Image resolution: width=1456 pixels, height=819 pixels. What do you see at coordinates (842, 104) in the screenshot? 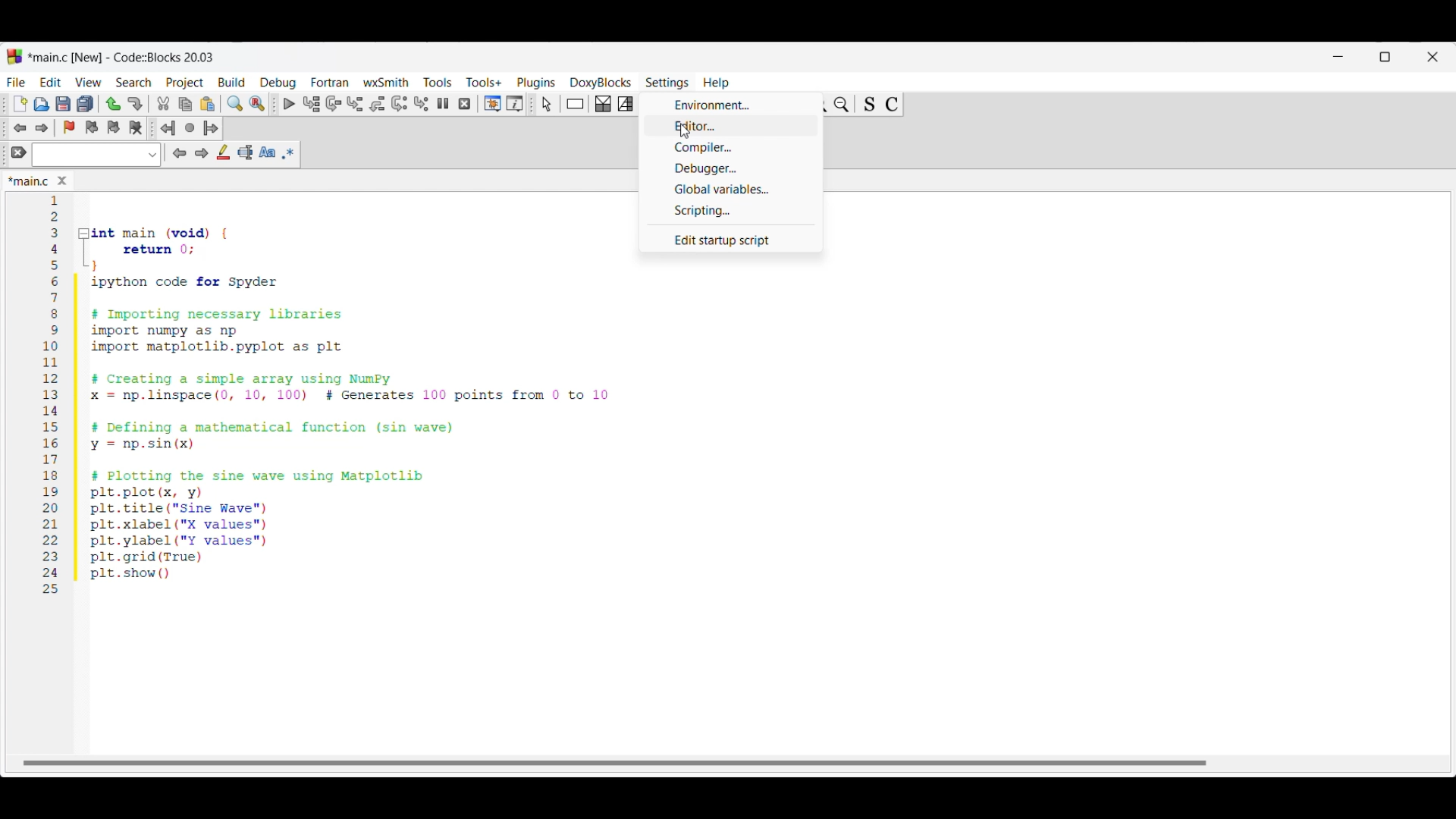
I see `Zoom out` at bounding box center [842, 104].